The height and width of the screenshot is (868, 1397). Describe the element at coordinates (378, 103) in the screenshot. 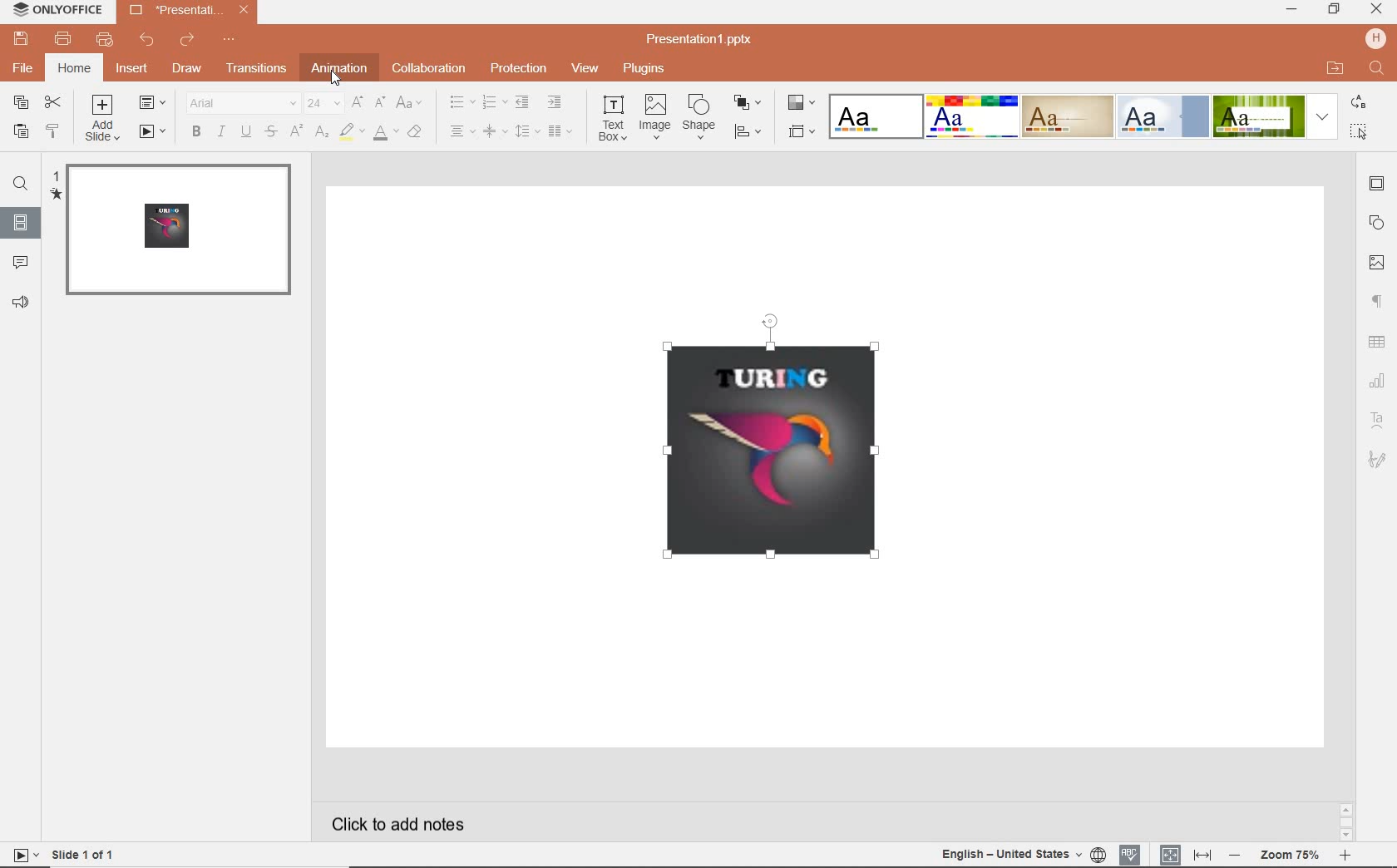

I see `decrement font size` at that location.